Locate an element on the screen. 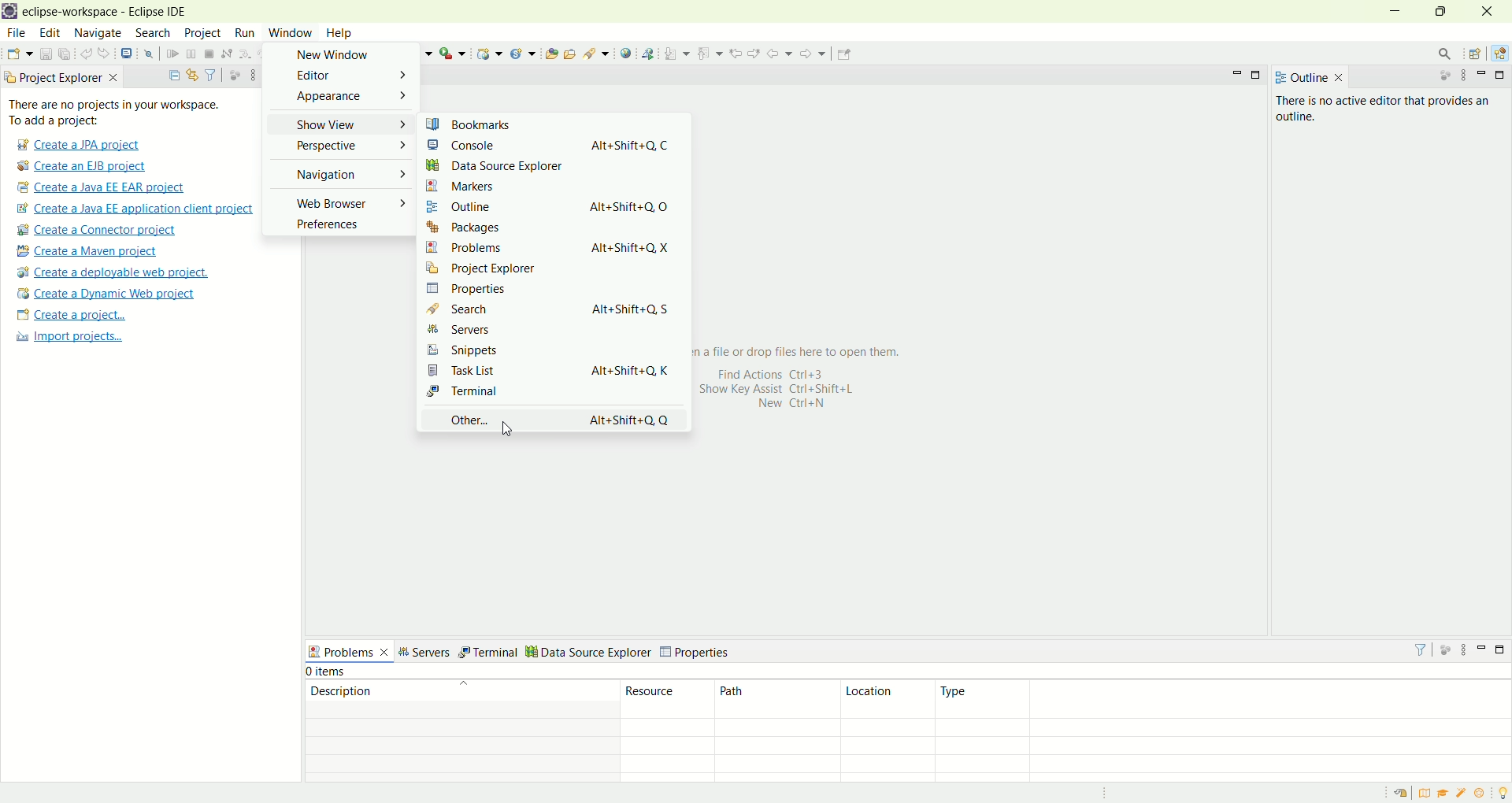 This screenshot has height=803, width=1512. location is located at coordinates (888, 698).